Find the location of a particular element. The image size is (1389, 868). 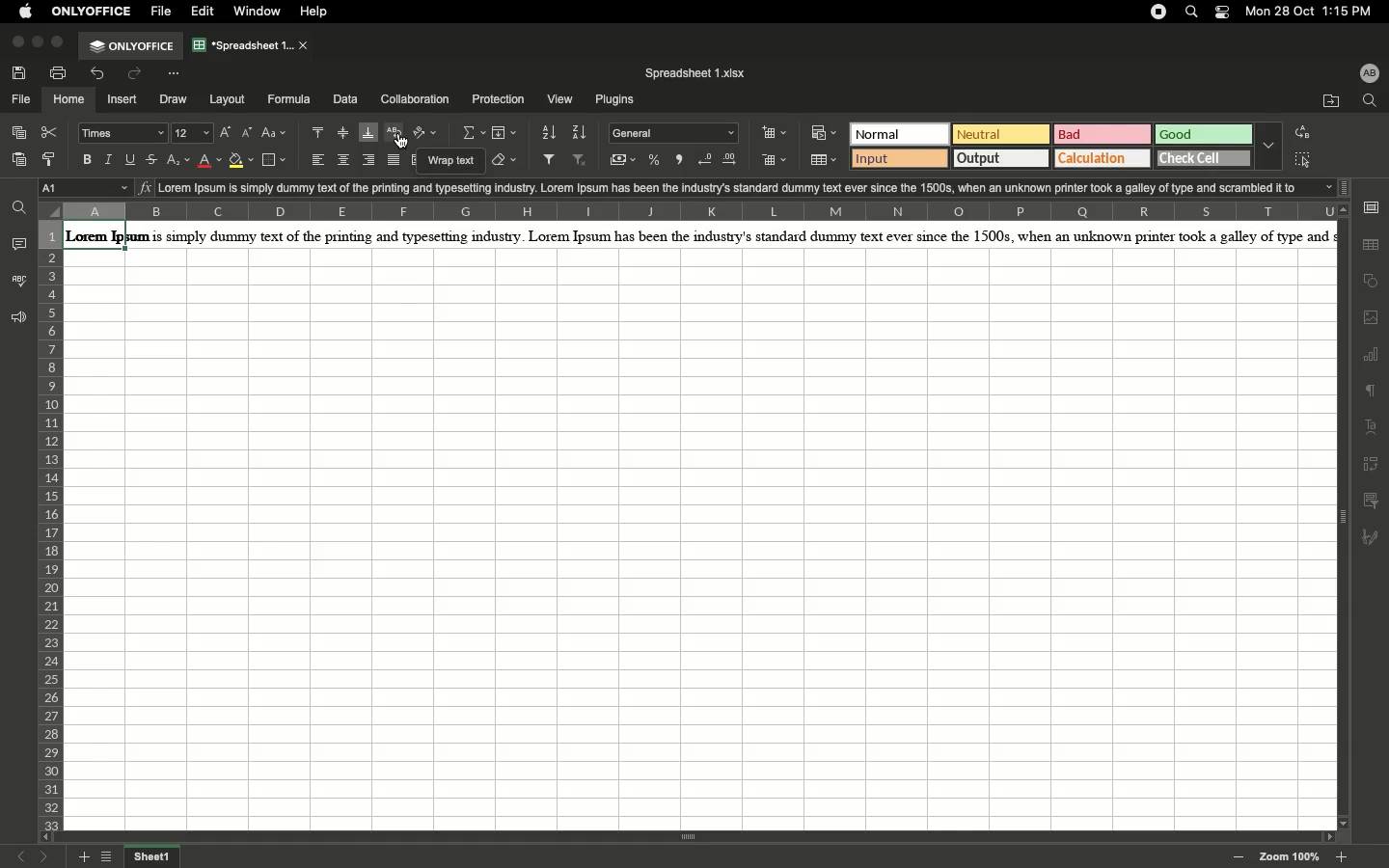

Increase font size is located at coordinates (227, 133).